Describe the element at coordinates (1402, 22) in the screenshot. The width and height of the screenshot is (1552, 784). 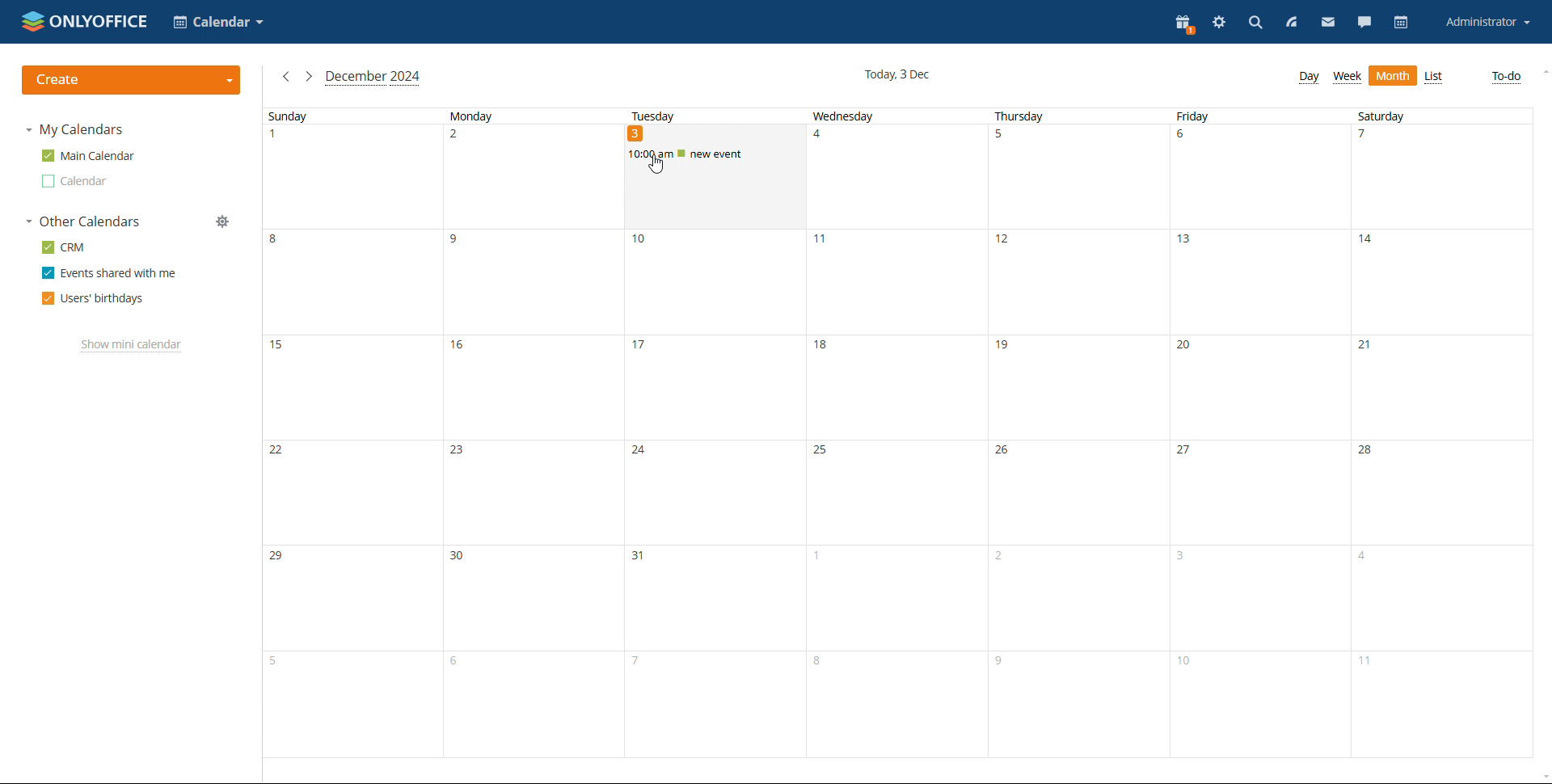
I see `calendar` at that location.